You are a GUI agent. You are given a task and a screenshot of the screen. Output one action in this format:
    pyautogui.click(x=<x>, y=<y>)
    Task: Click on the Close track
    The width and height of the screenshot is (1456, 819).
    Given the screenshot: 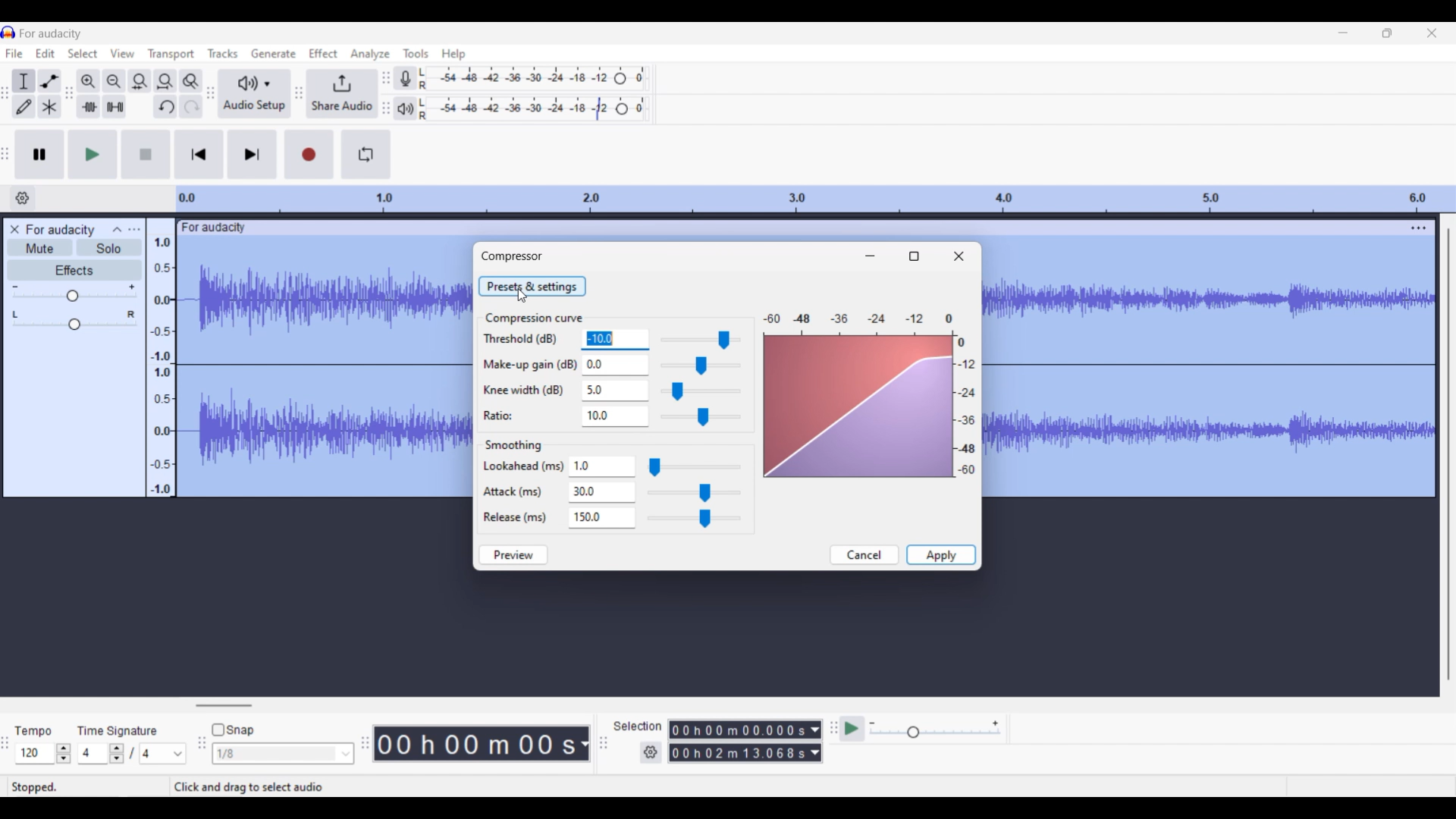 What is the action you would take?
    pyautogui.click(x=14, y=229)
    